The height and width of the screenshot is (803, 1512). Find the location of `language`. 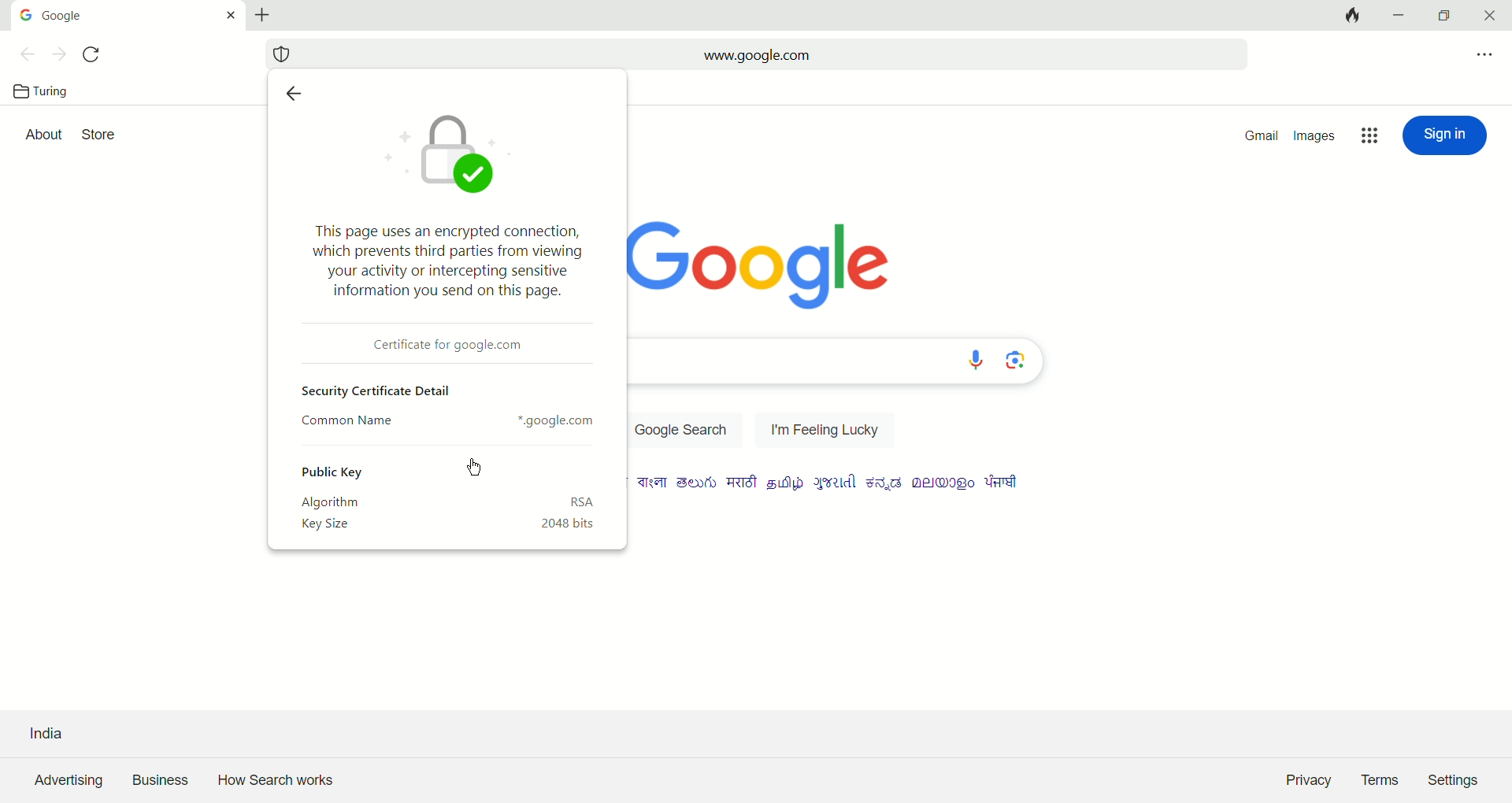

language is located at coordinates (654, 483).